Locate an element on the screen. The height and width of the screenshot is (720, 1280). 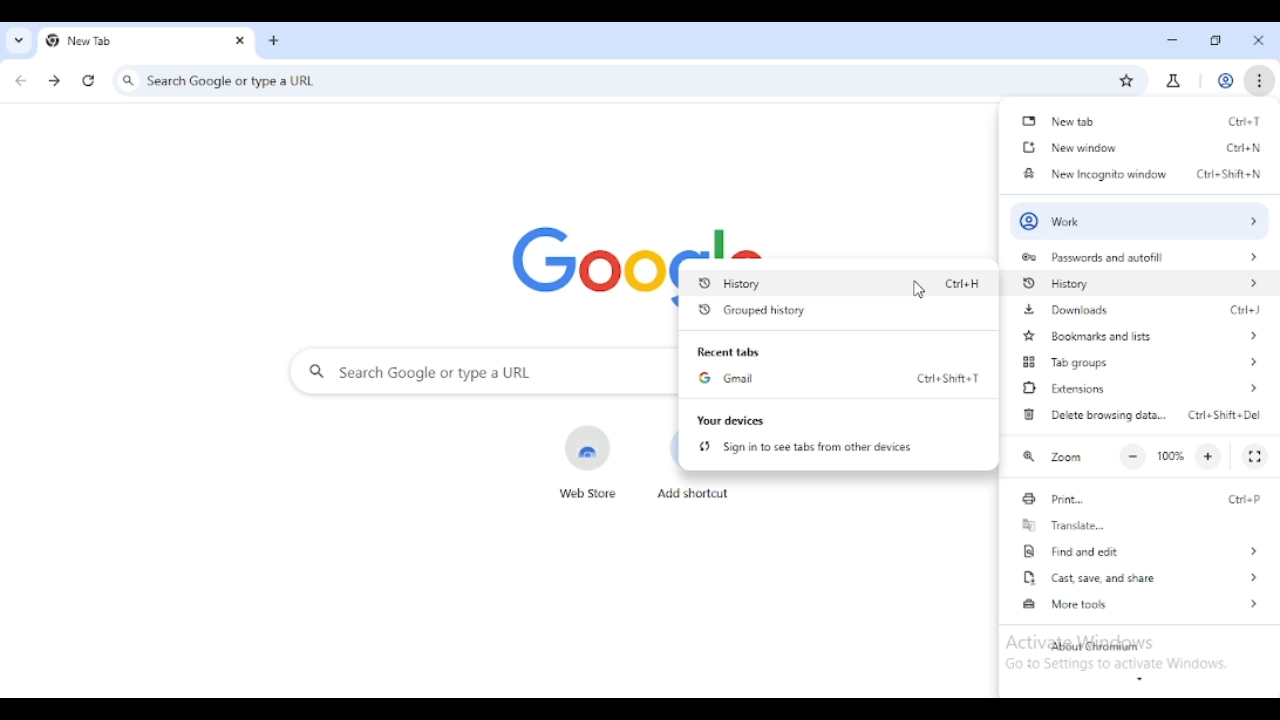
make text smaller is located at coordinates (1134, 456).